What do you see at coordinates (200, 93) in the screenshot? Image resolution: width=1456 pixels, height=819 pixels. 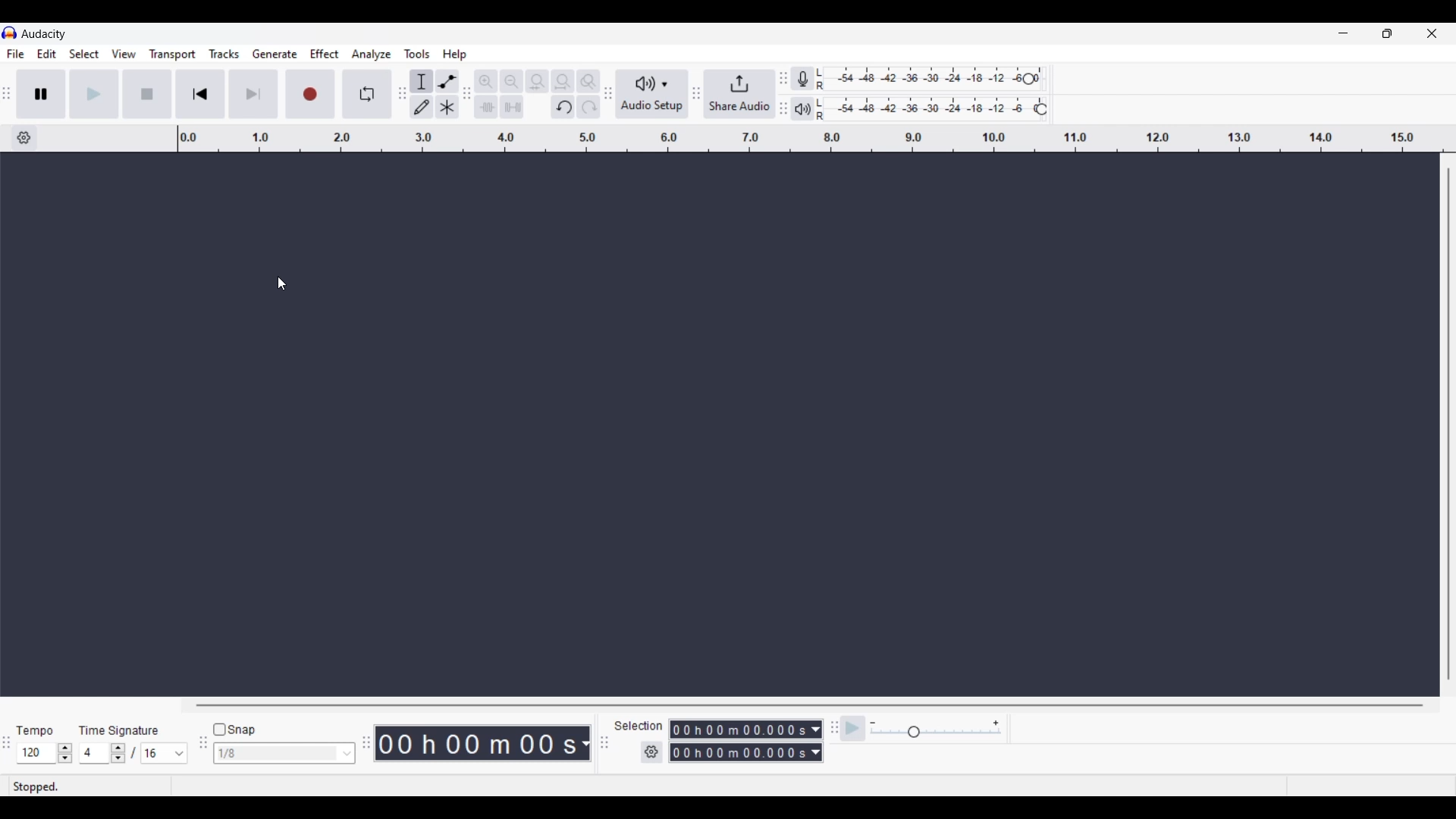 I see `Skip to start/Select to start` at bounding box center [200, 93].